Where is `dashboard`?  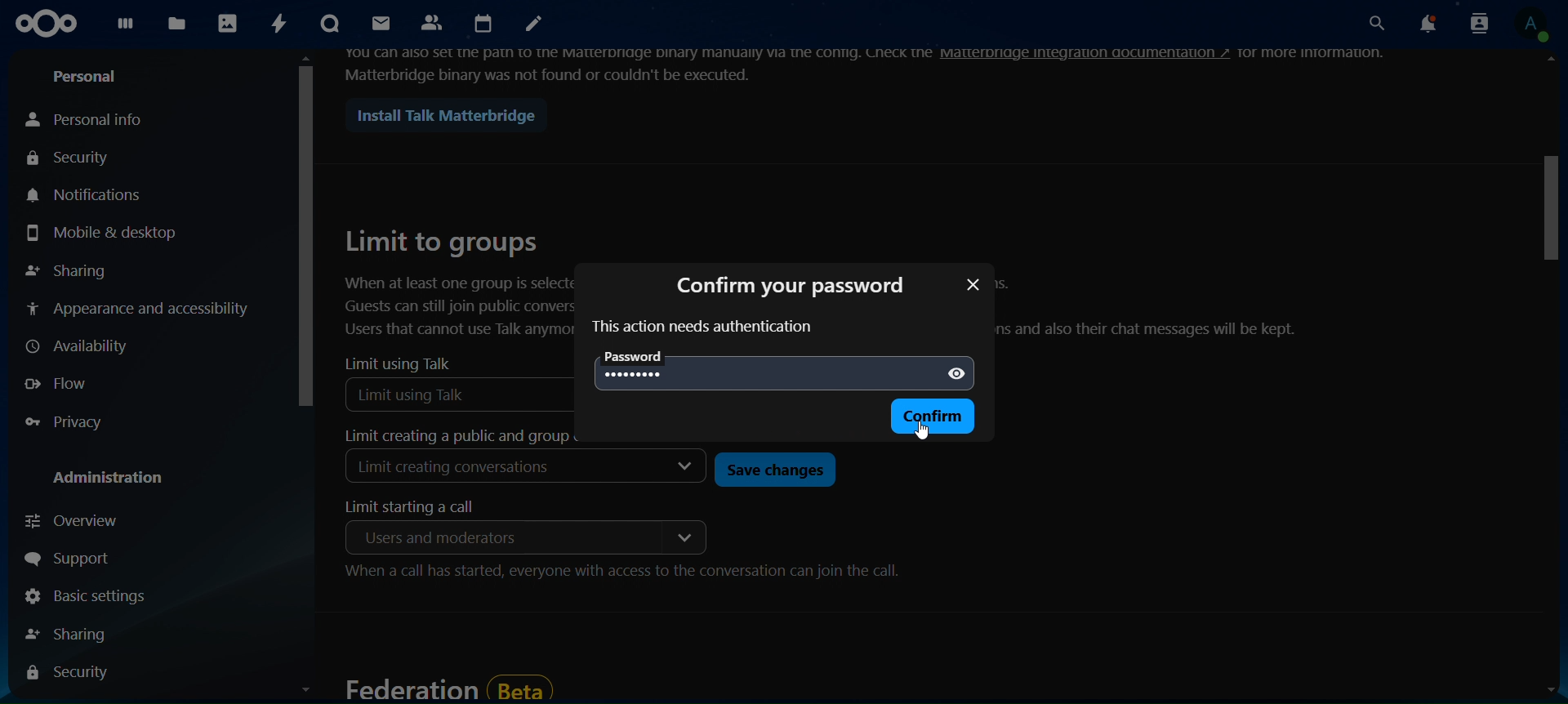 dashboard is located at coordinates (128, 28).